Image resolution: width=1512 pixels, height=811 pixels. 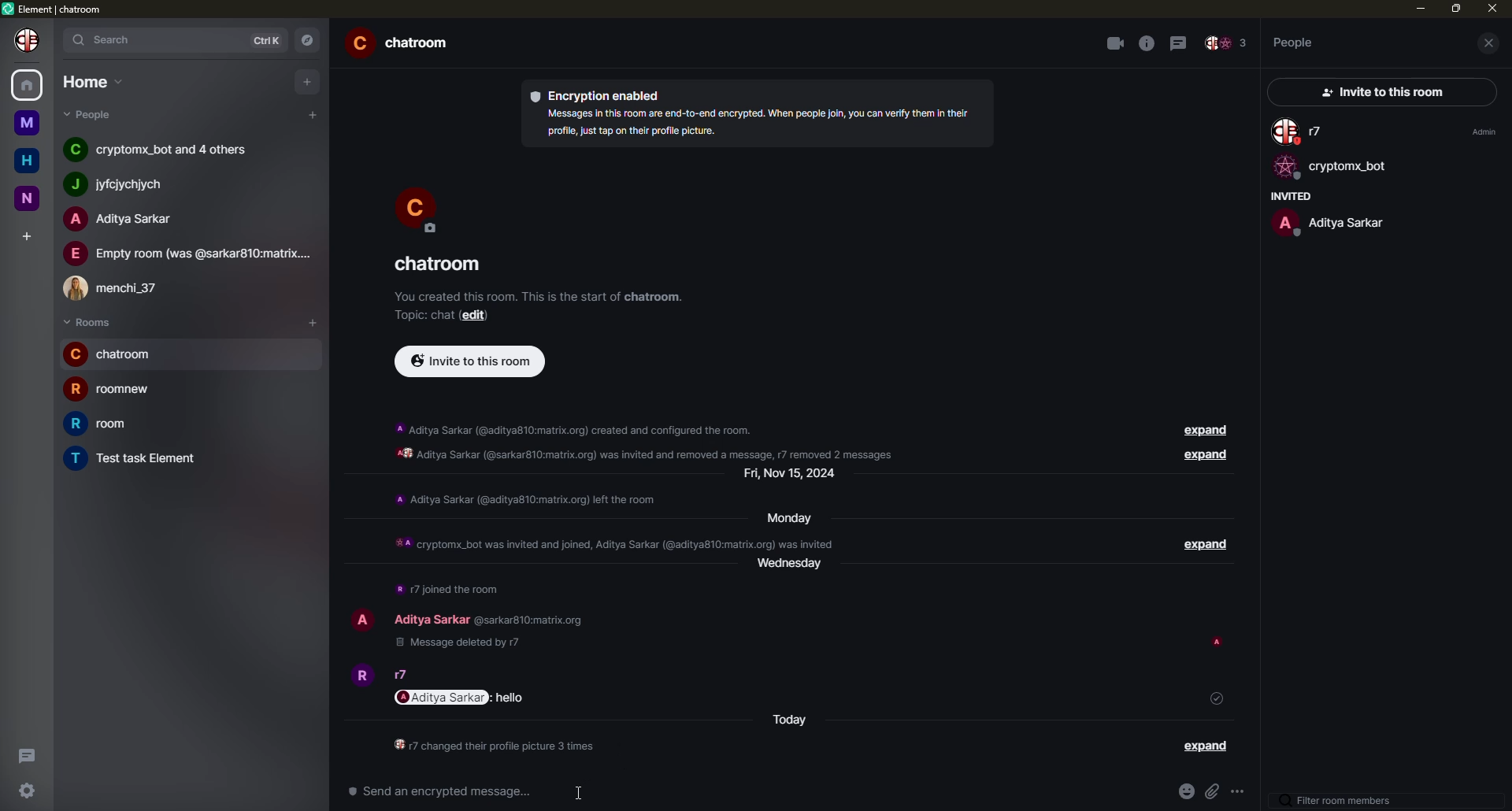 What do you see at coordinates (449, 589) in the screenshot?
I see `info` at bounding box center [449, 589].